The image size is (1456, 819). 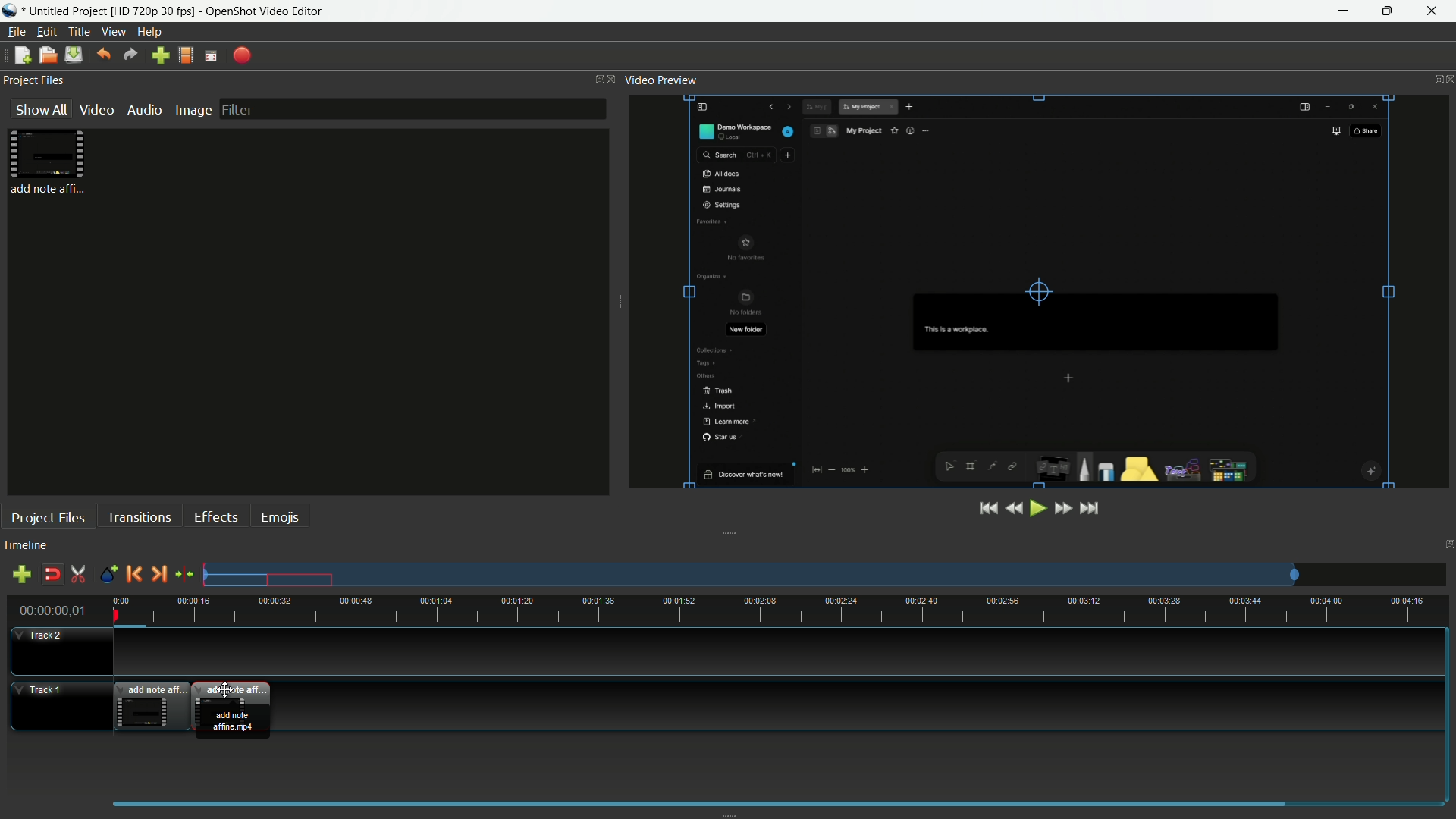 What do you see at coordinates (26, 544) in the screenshot?
I see `timeline` at bounding box center [26, 544].